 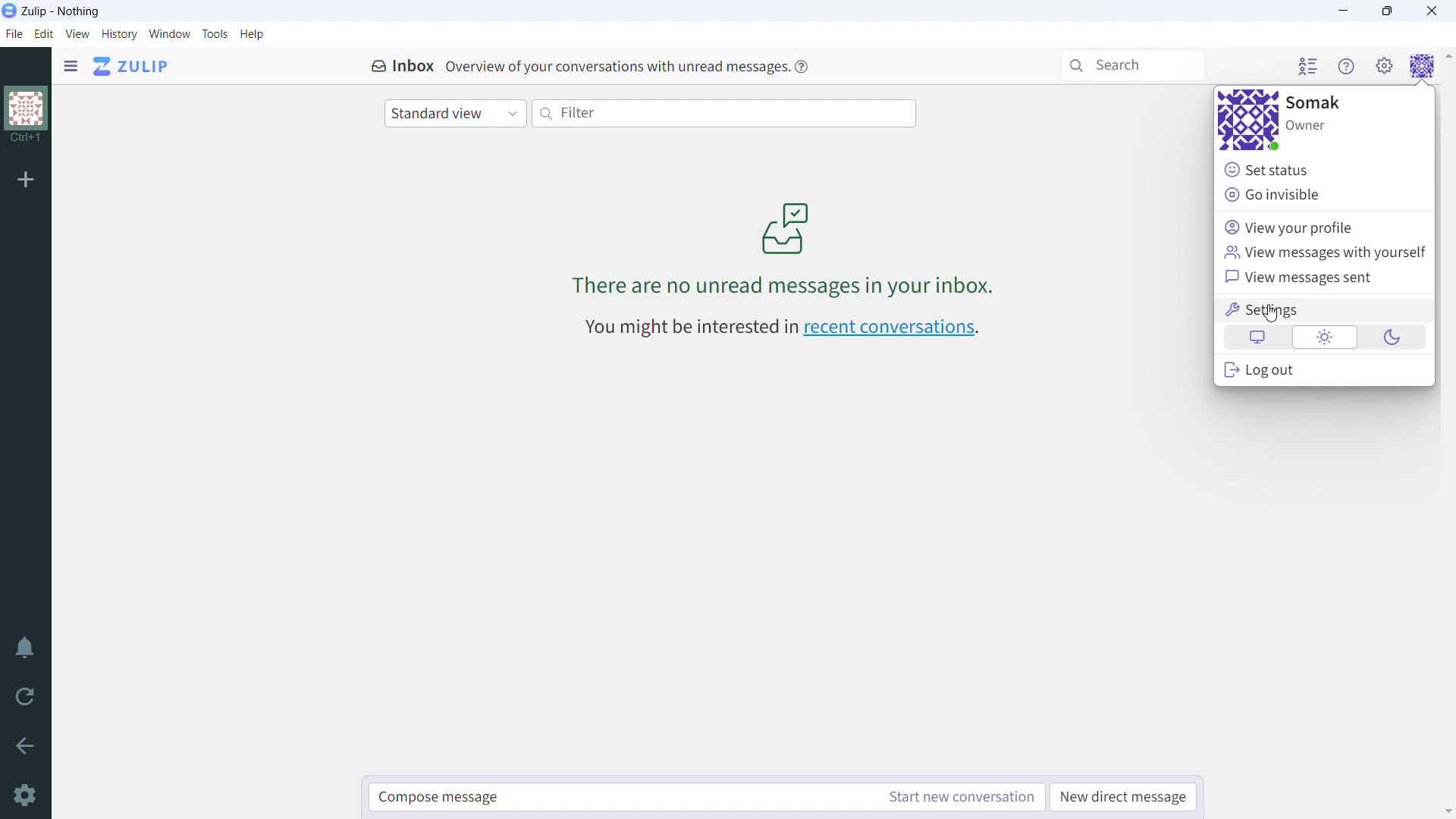 What do you see at coordinates (620, 797) in the screenshot?
I see `compose message` at bounding box center [620, 797].